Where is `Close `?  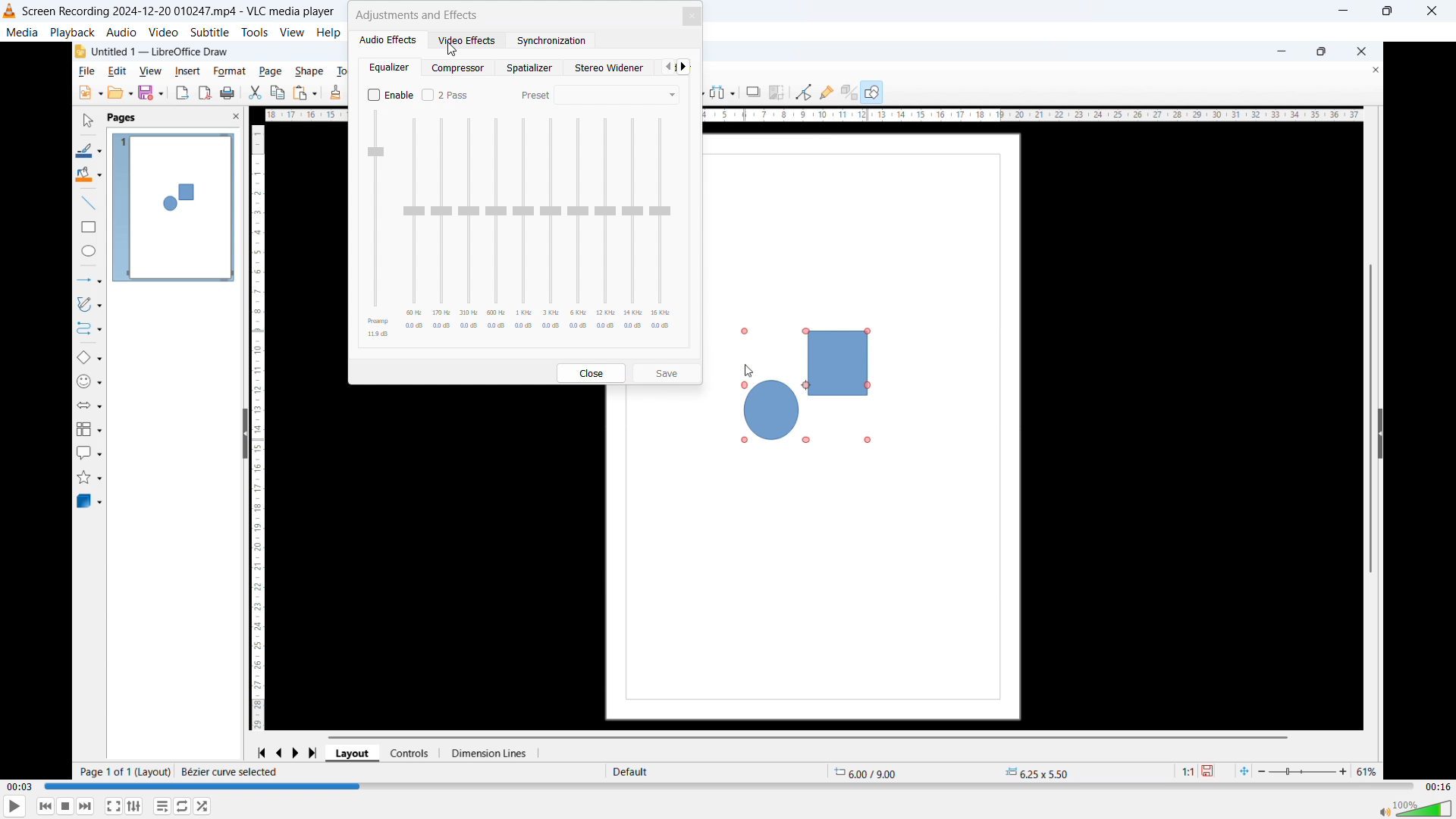
Close  is located at coordinates (593, 373).